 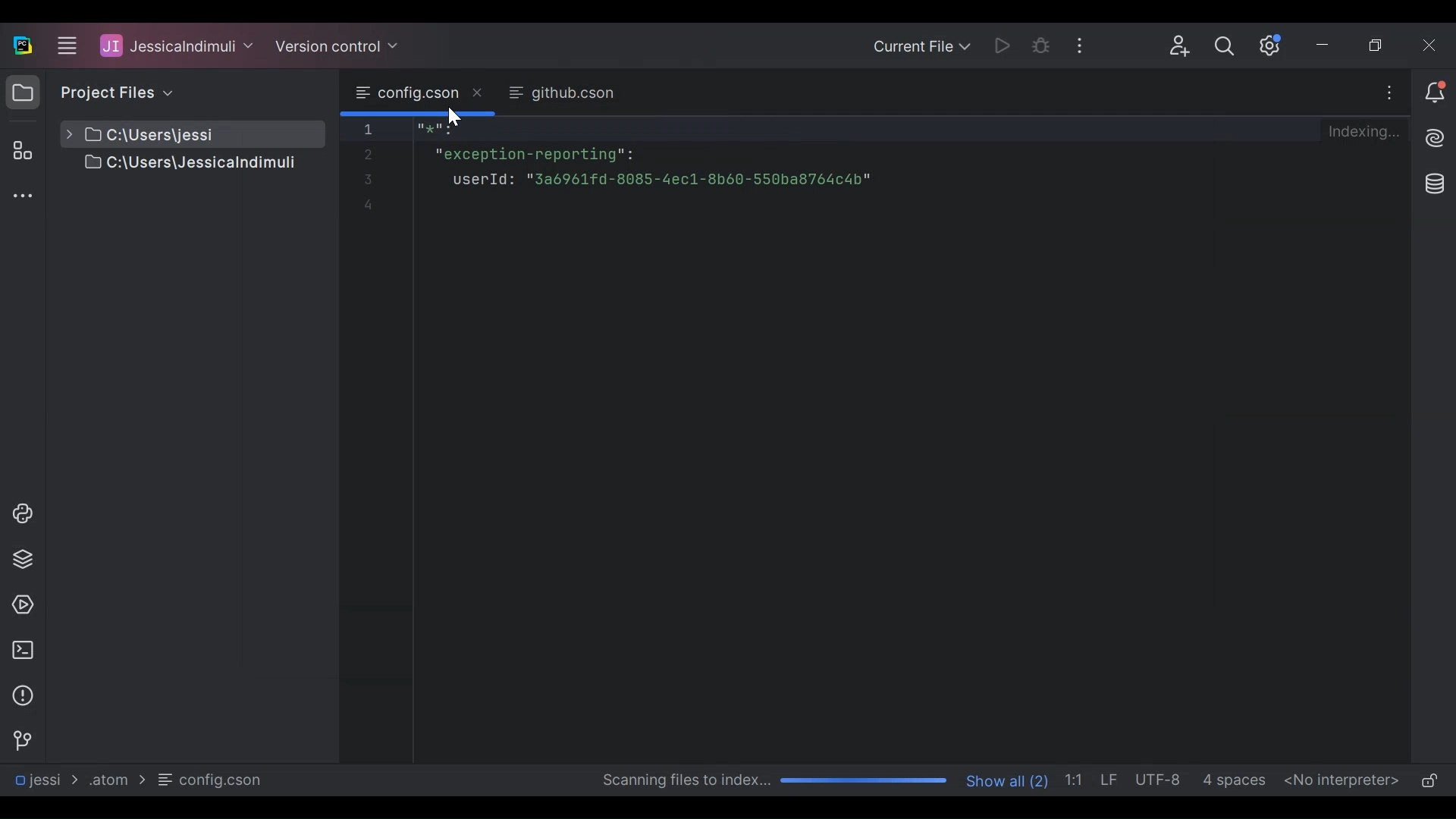 I want to click on Services, so click(x=21, y=606).